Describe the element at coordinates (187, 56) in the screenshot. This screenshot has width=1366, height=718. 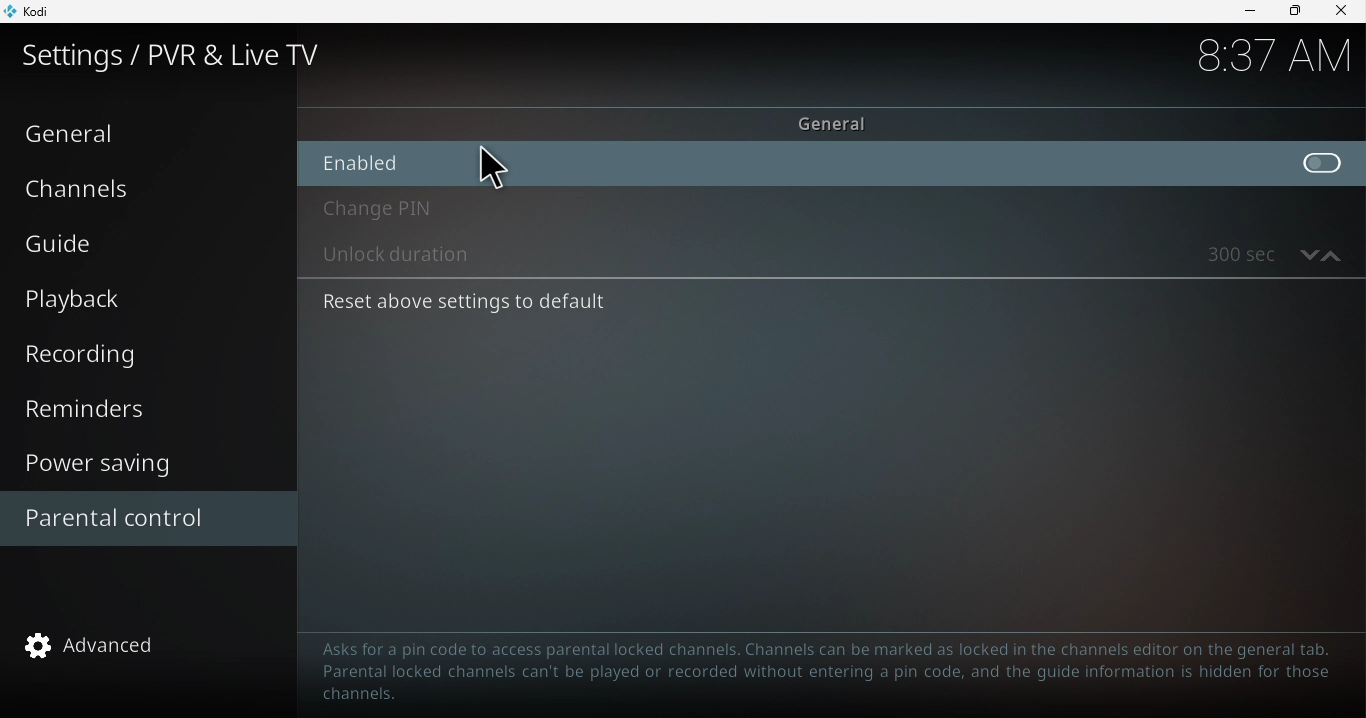
I see `Settings/PVR and Live TV` at that location.